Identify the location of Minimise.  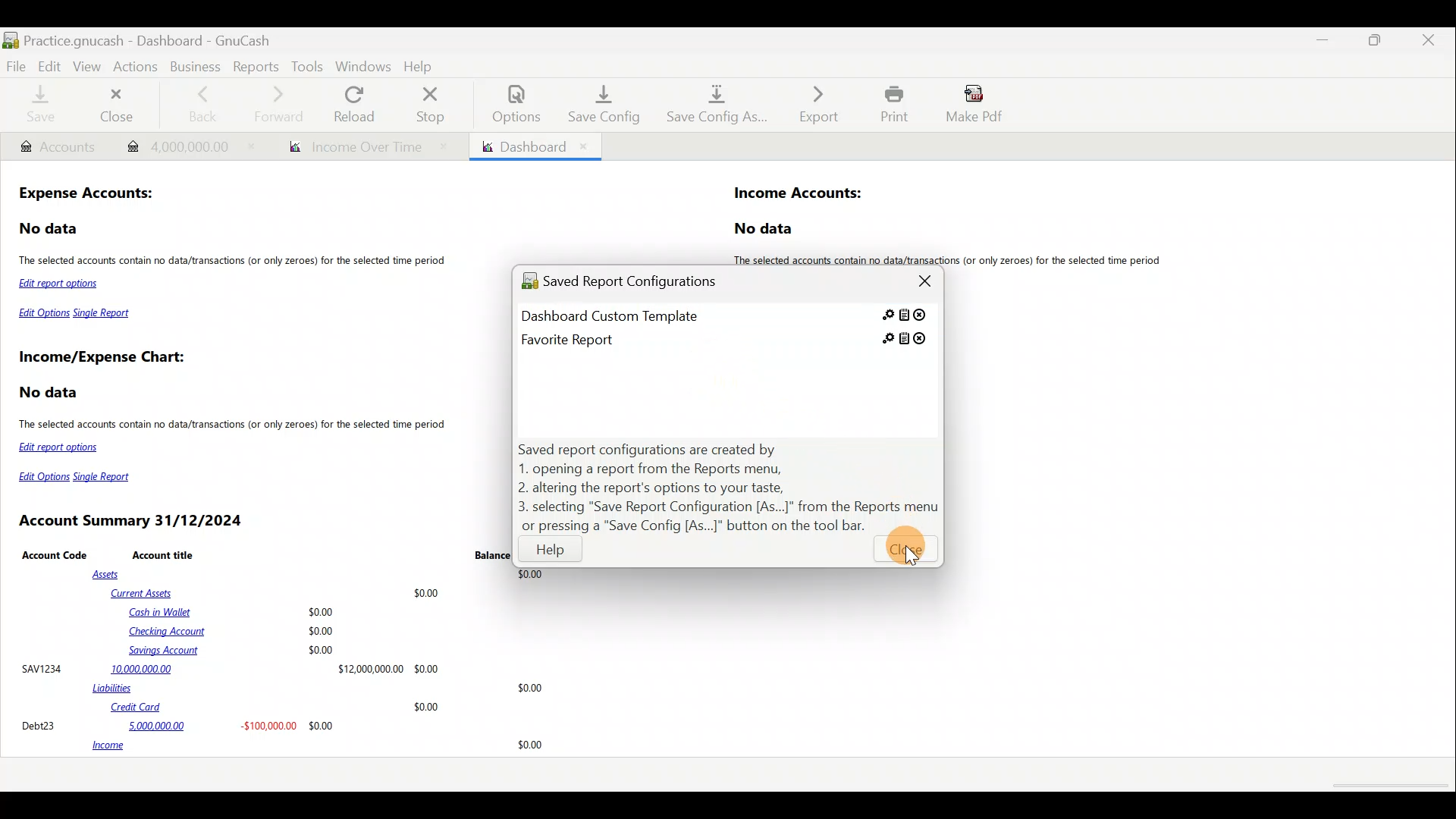
(1326, 40).